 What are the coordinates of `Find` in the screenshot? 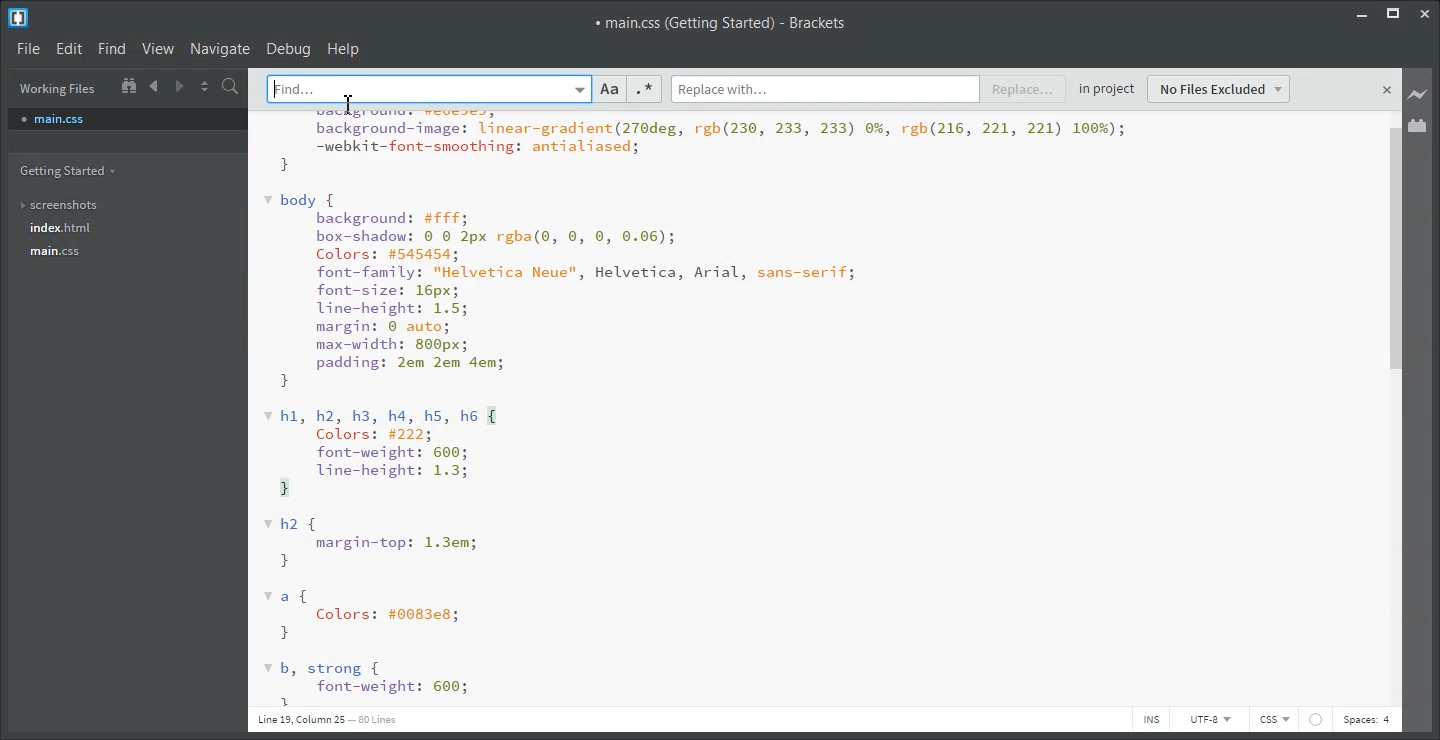 It's located at (111, 49).